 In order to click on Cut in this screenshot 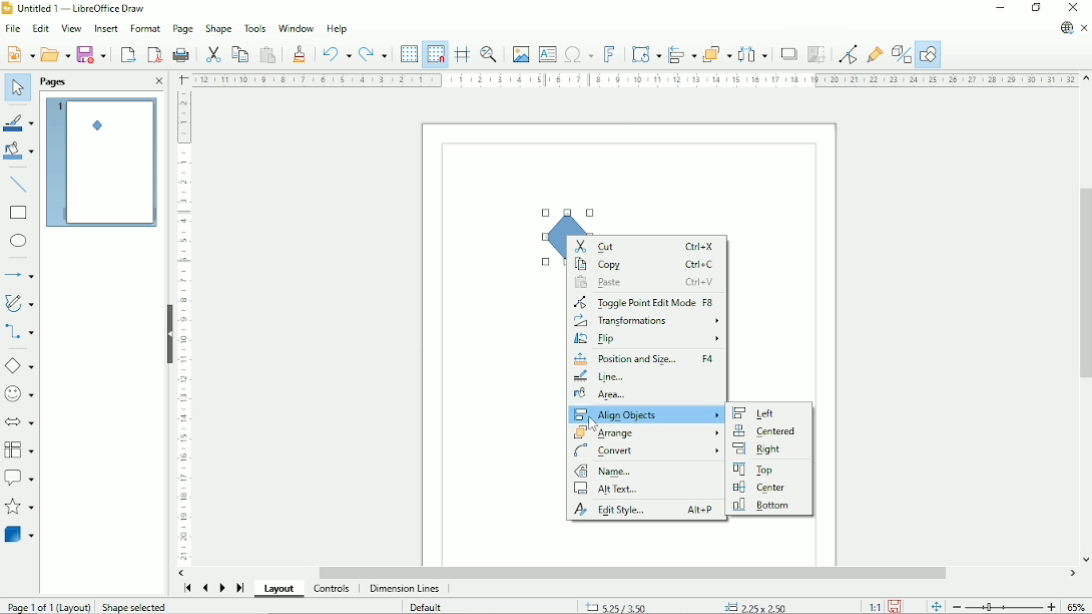, I will do `click(647, 245)`.